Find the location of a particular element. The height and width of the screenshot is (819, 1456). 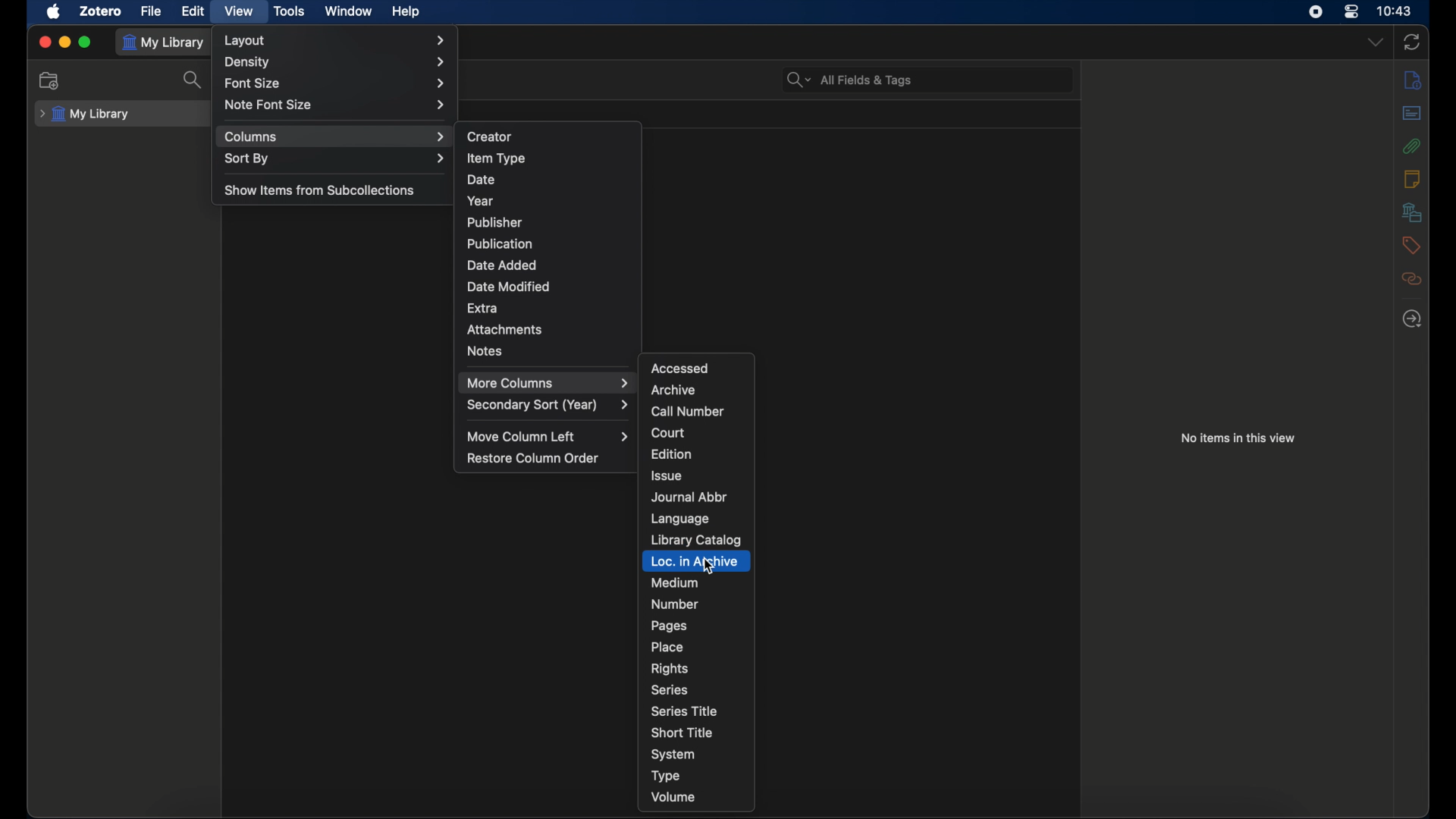

volume is located at coordinates (673, 797).